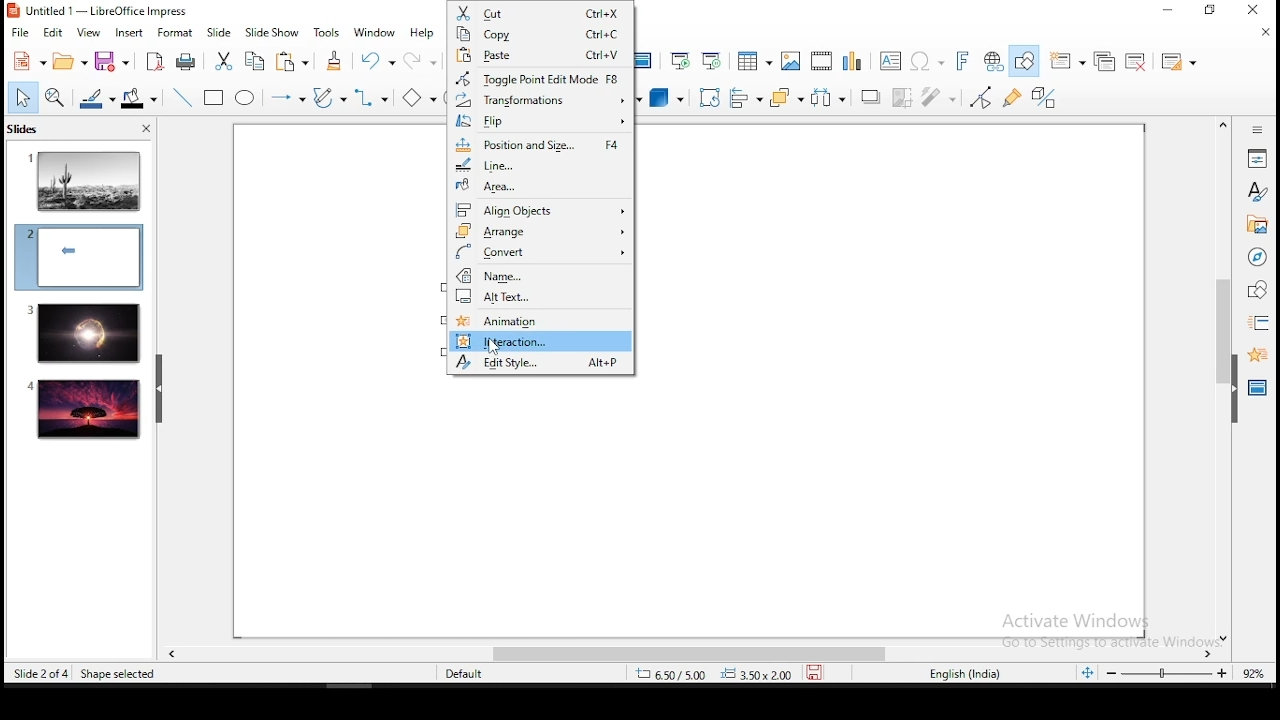 The image size is (1280, 720). What do you see at coordinates (710, 98) in the screenshot?
I see `crop tool` at bounding box center [710, 98].